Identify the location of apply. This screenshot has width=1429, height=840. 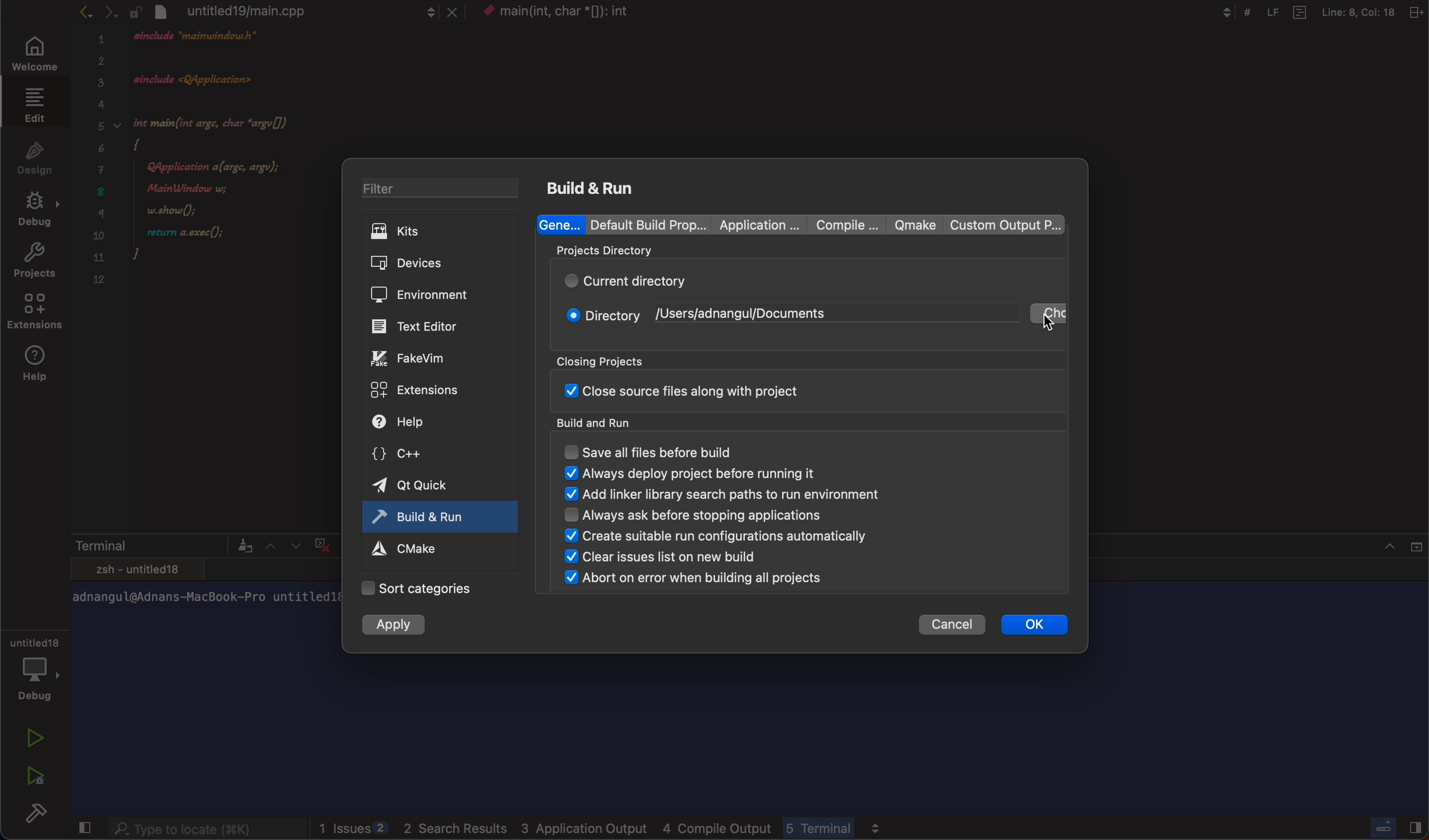
(404, 625).